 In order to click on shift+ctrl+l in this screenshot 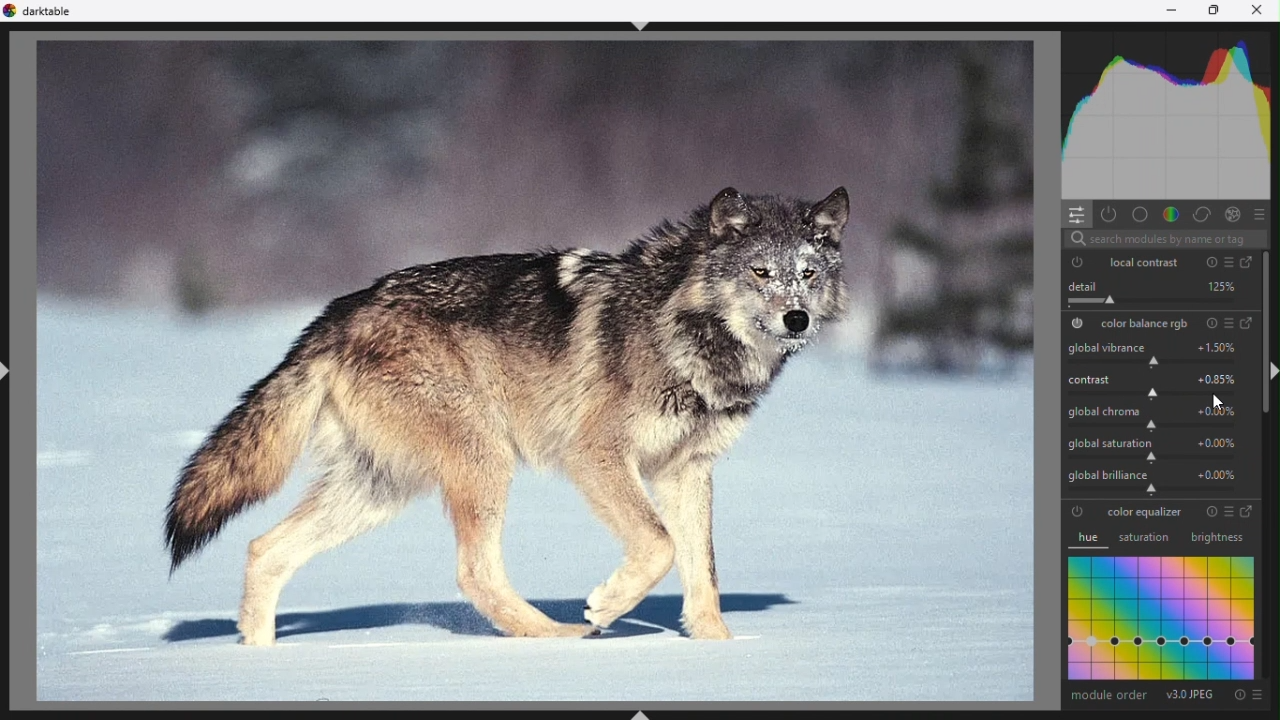, I will do `click(11, 368)`.